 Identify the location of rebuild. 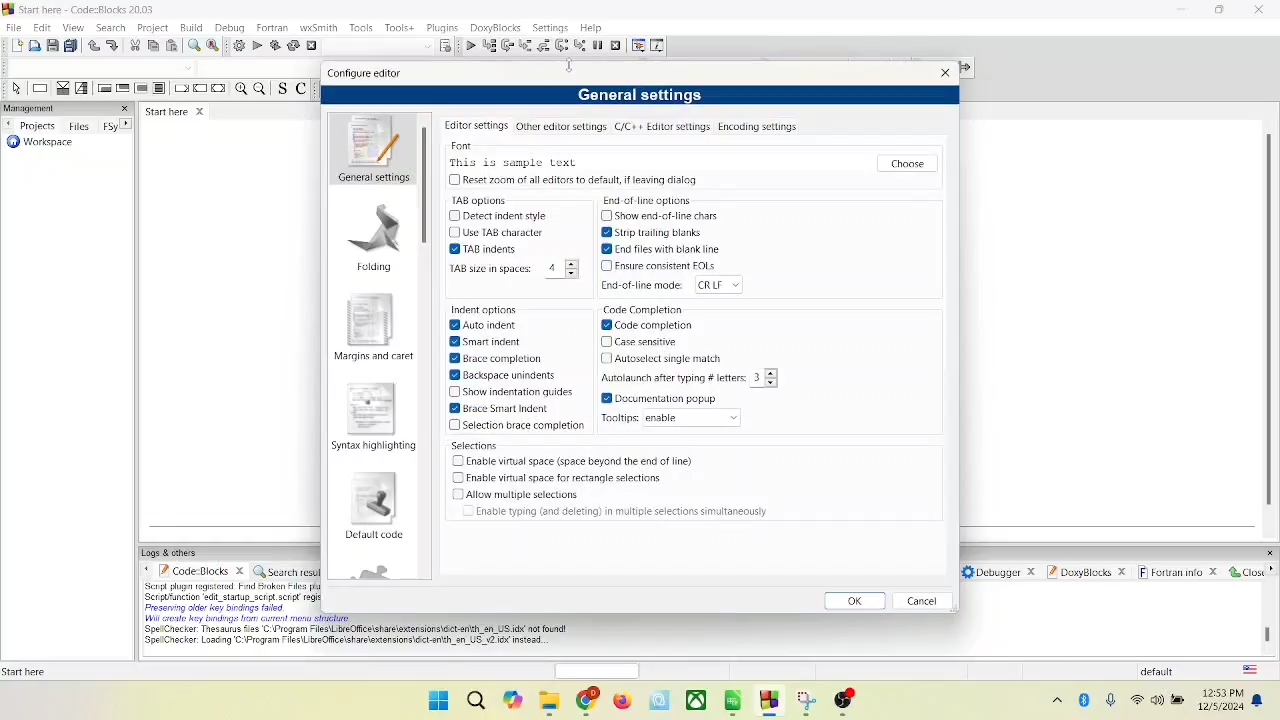
(294, 46).